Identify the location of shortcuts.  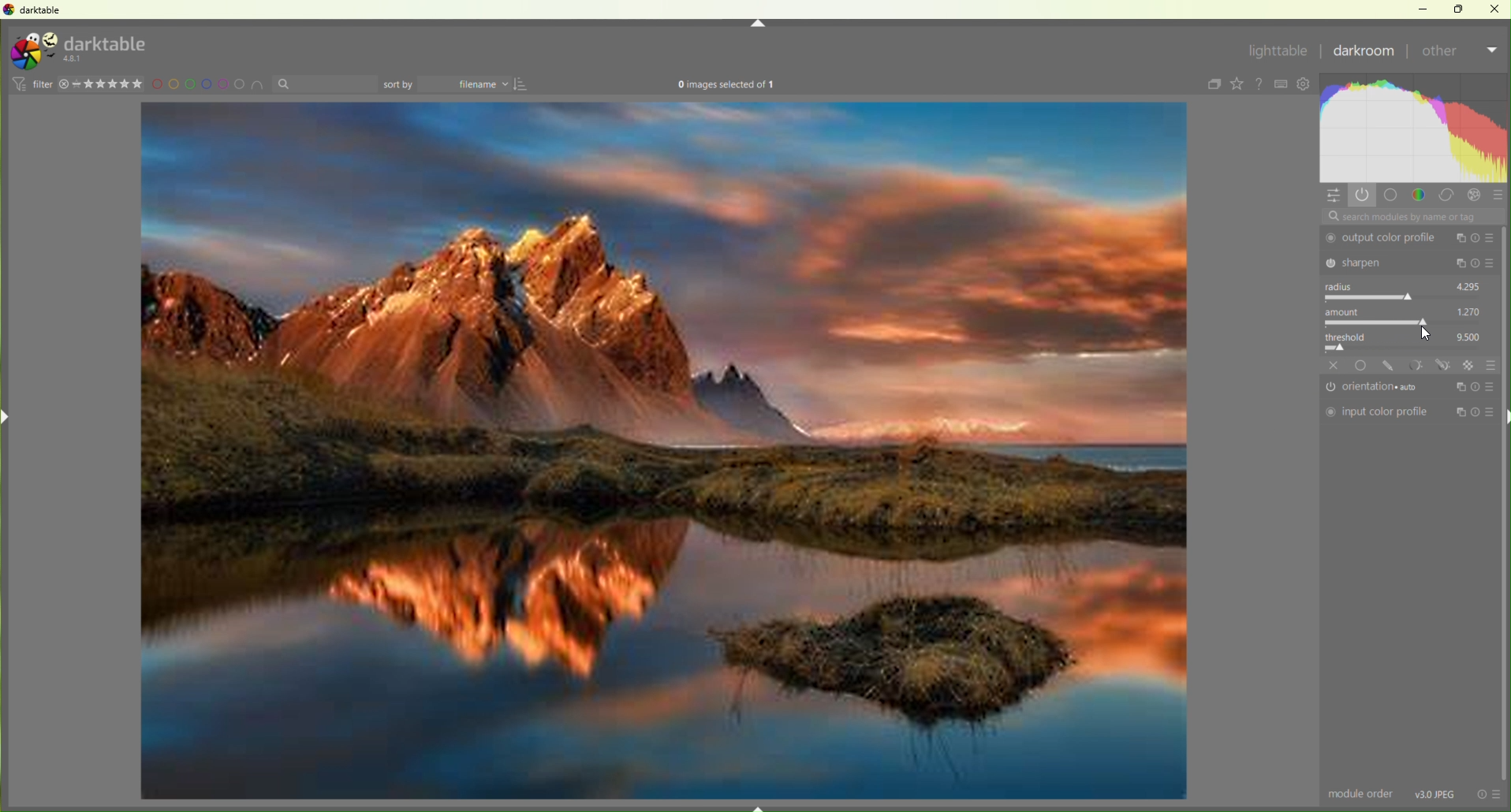
(1282, 84).